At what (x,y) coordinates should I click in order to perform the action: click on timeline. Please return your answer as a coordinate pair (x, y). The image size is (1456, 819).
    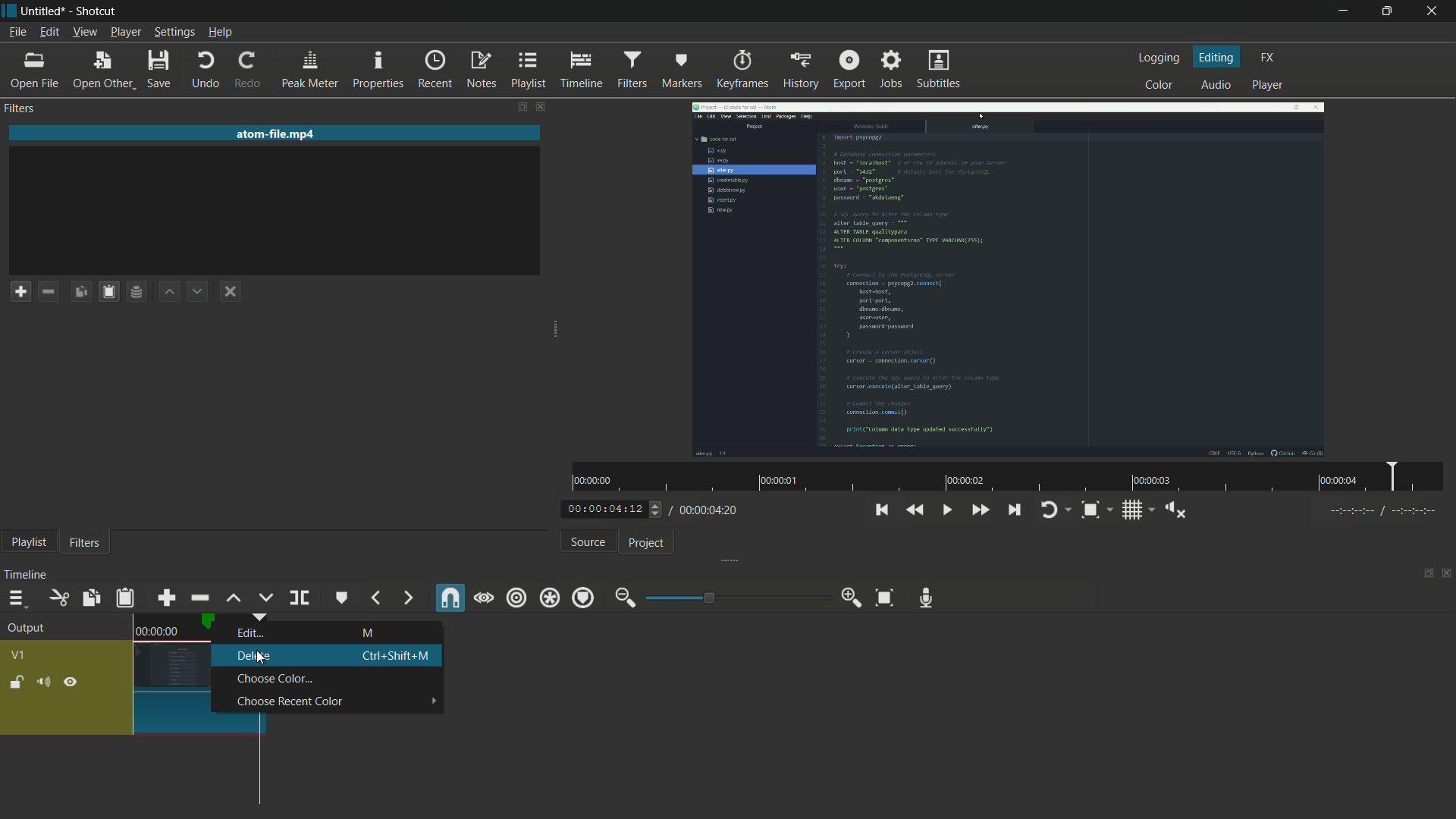
    Looking at the image, I should click on (581, 71).